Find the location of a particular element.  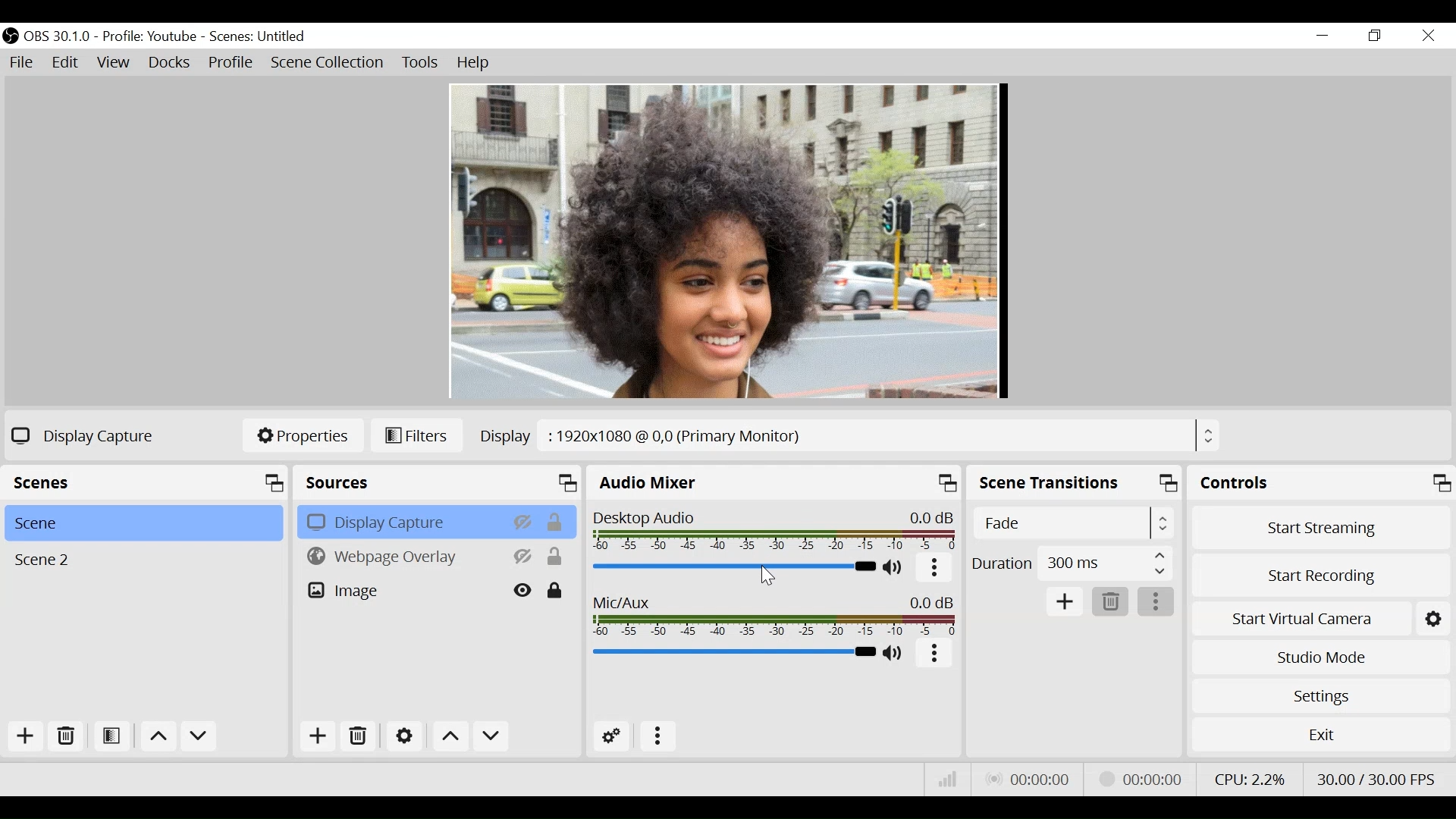

Preview is located at coordinates (730, 242).